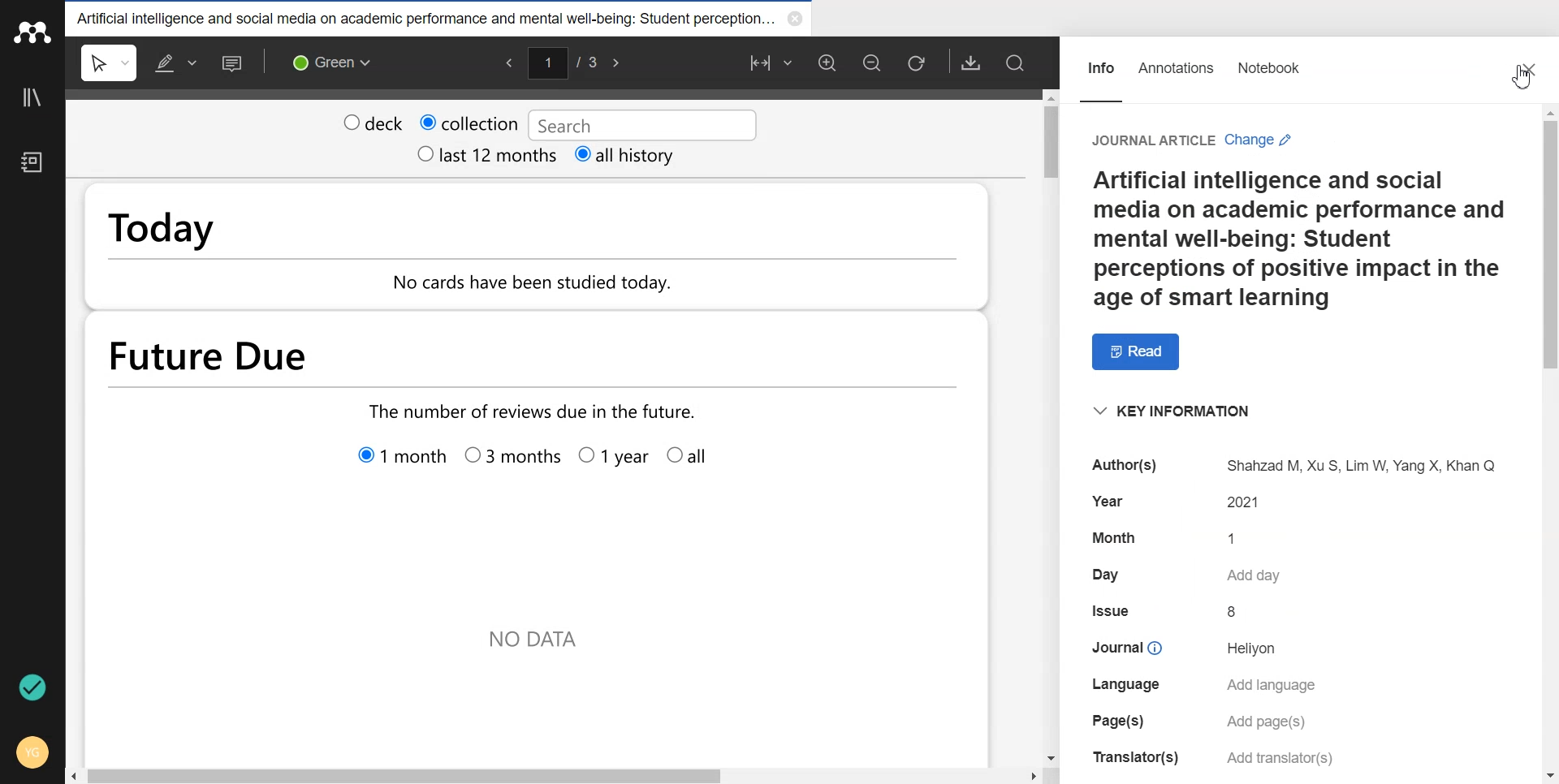 The height and width of the screenshot is (784, 1559). What do you see at coordinates (1509, 82) in the screenshot?
I see `Cursor` at bounding box center [1509, 82].